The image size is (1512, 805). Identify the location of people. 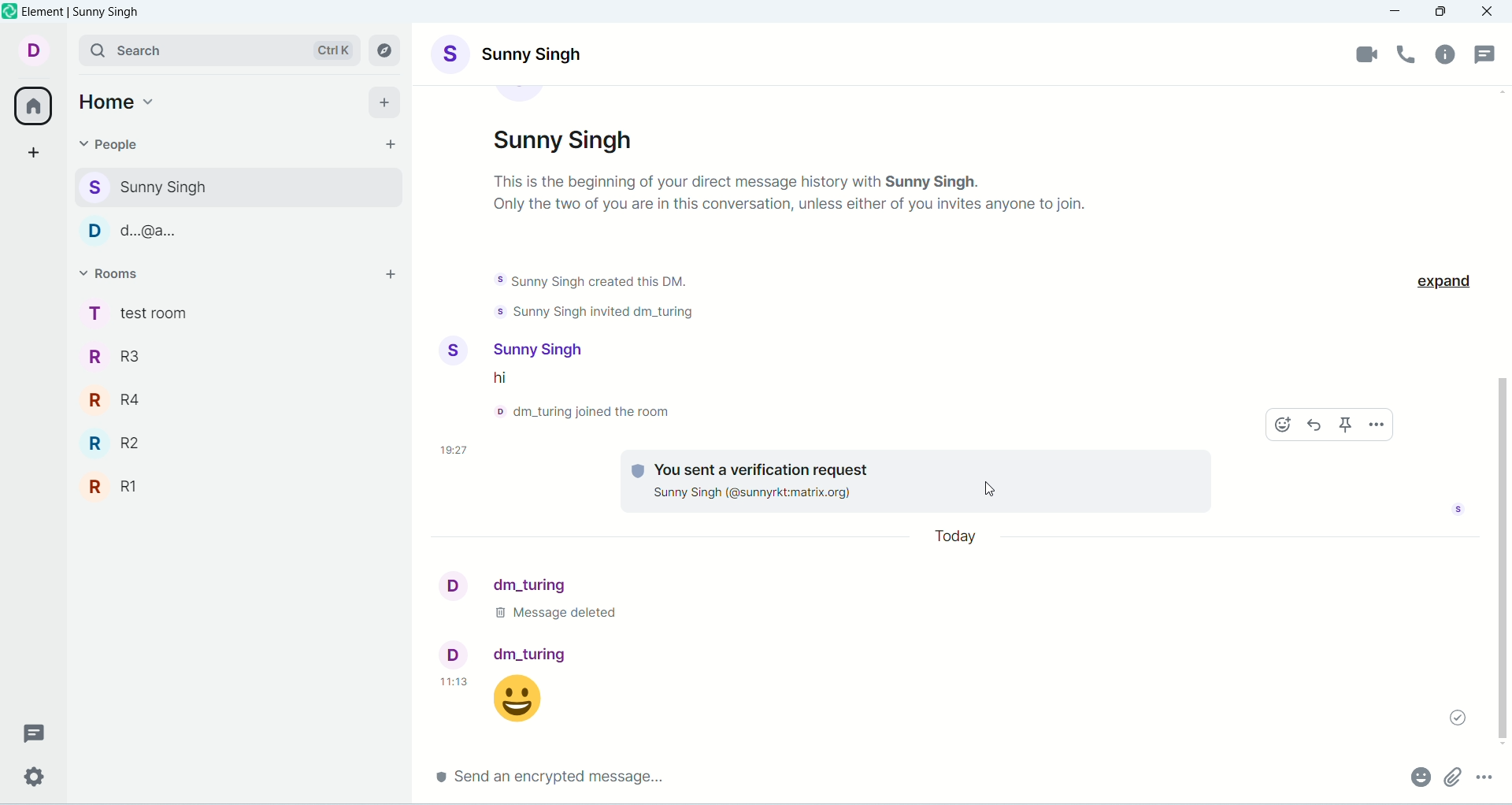
(111, 143).